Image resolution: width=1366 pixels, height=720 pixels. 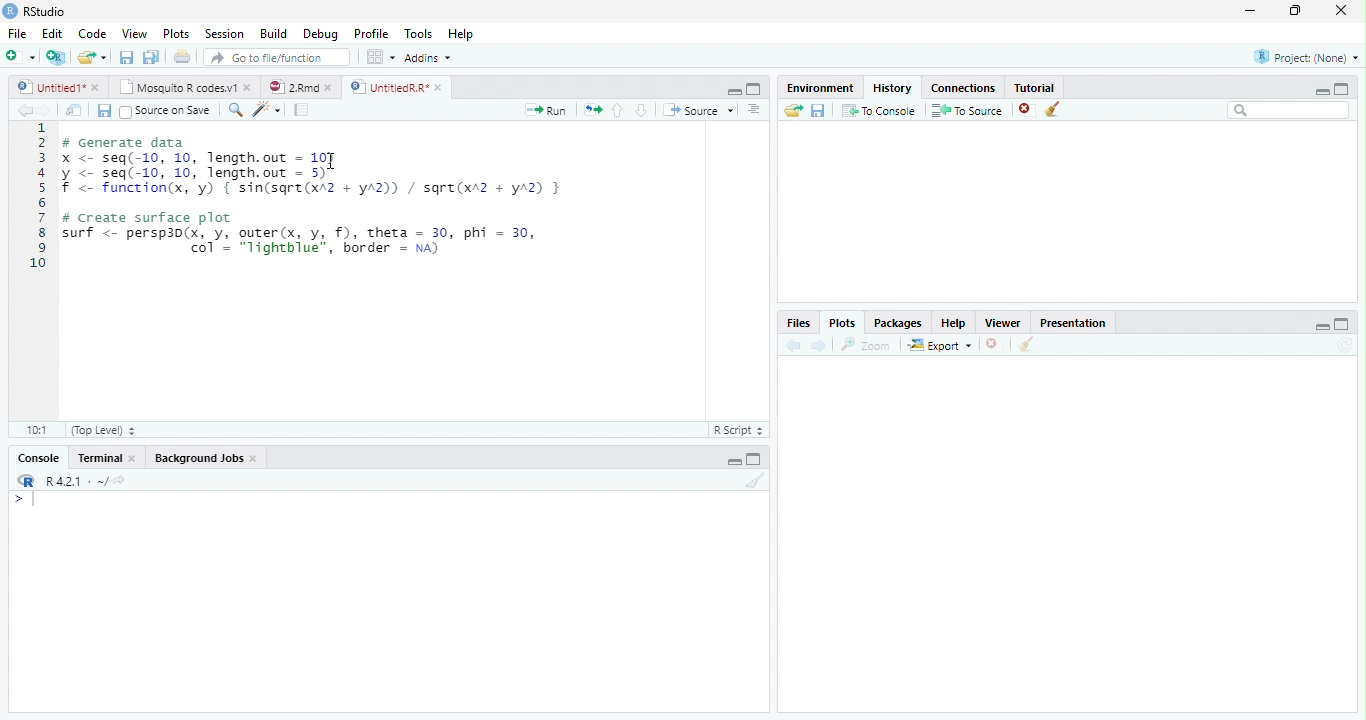 I want to click on UntitledR.R*, so click(x=387, y=87).